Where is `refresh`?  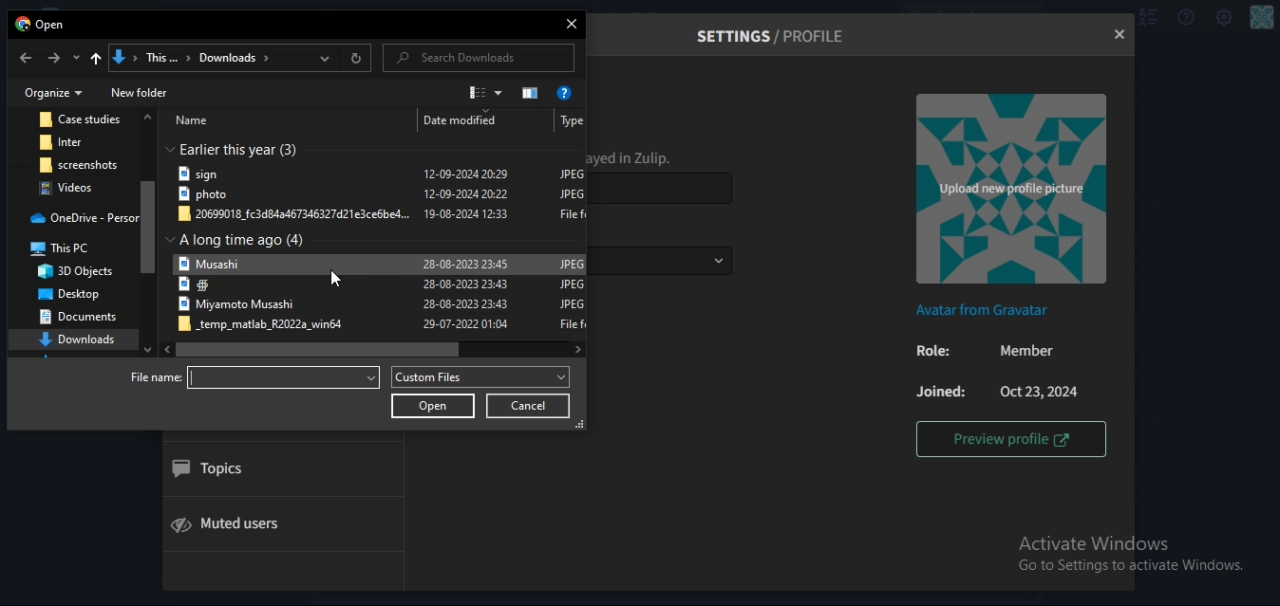 refresh is located at coordinates (357, 60).